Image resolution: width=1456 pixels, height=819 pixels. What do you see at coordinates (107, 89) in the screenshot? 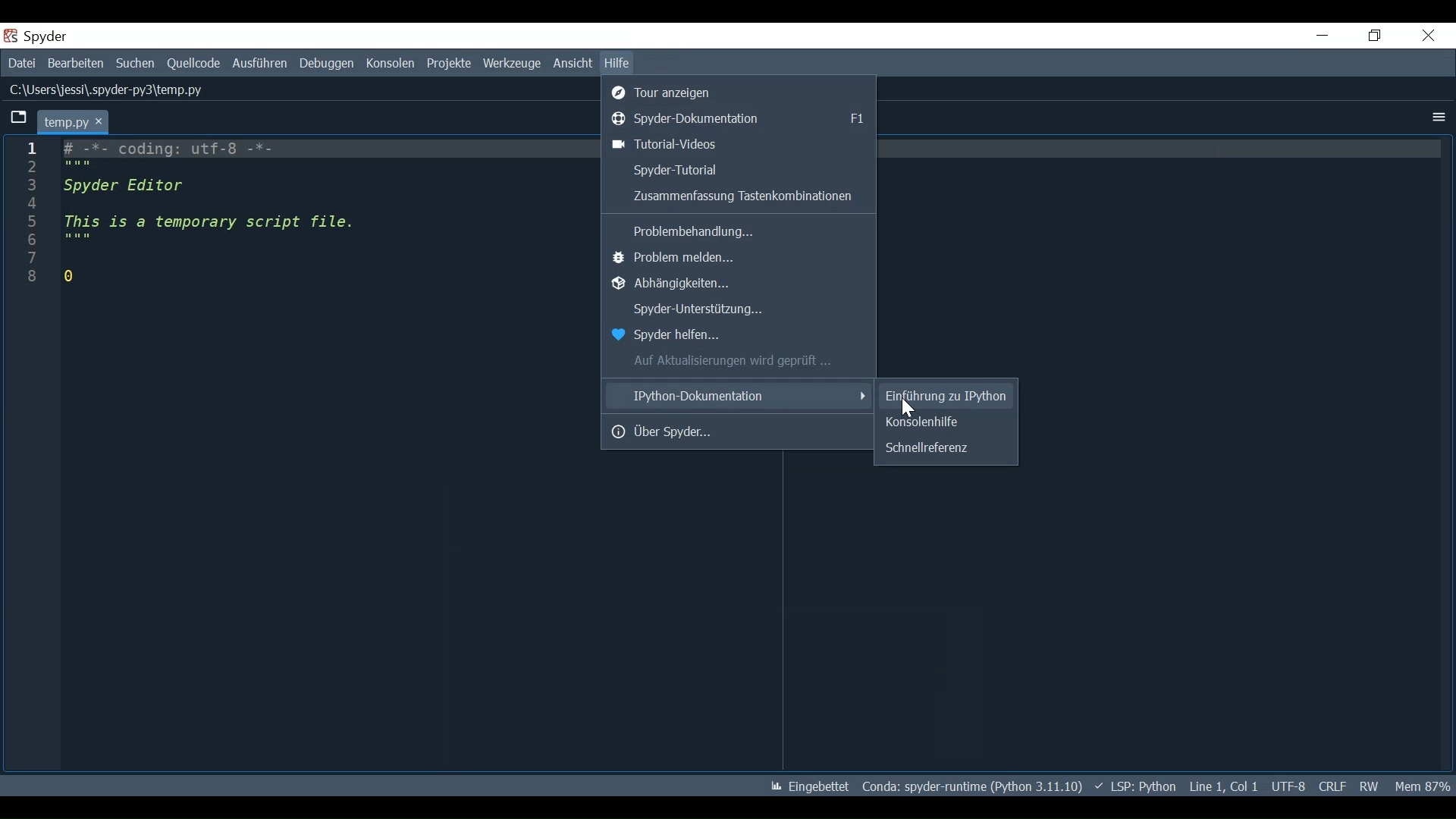
I see `C:\Users\jessi\.spyder-py3\temp.py` at bounding box center [107, 89].